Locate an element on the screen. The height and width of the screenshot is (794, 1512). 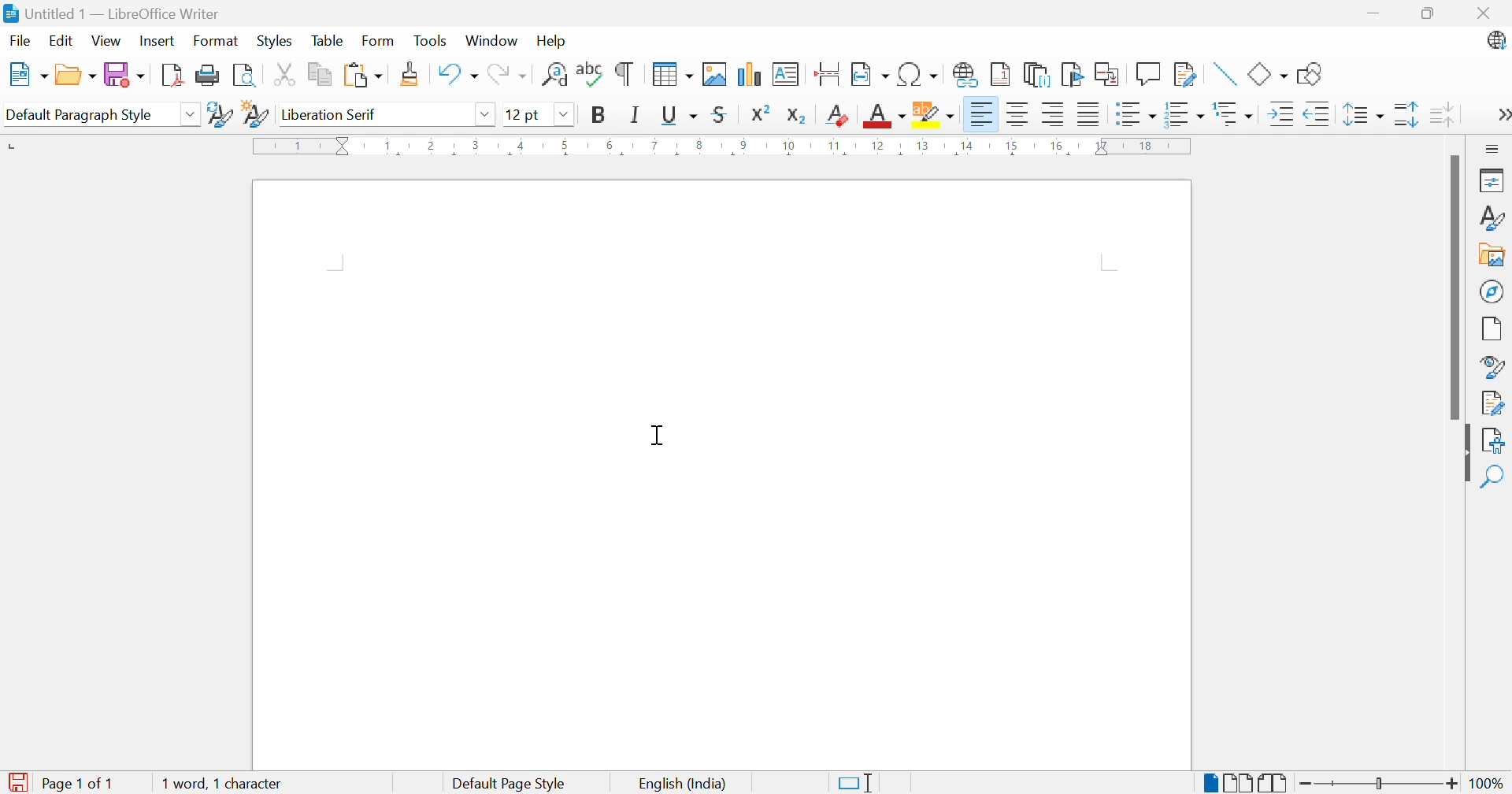
Show draw functions is located at coordinates (1314, 75).